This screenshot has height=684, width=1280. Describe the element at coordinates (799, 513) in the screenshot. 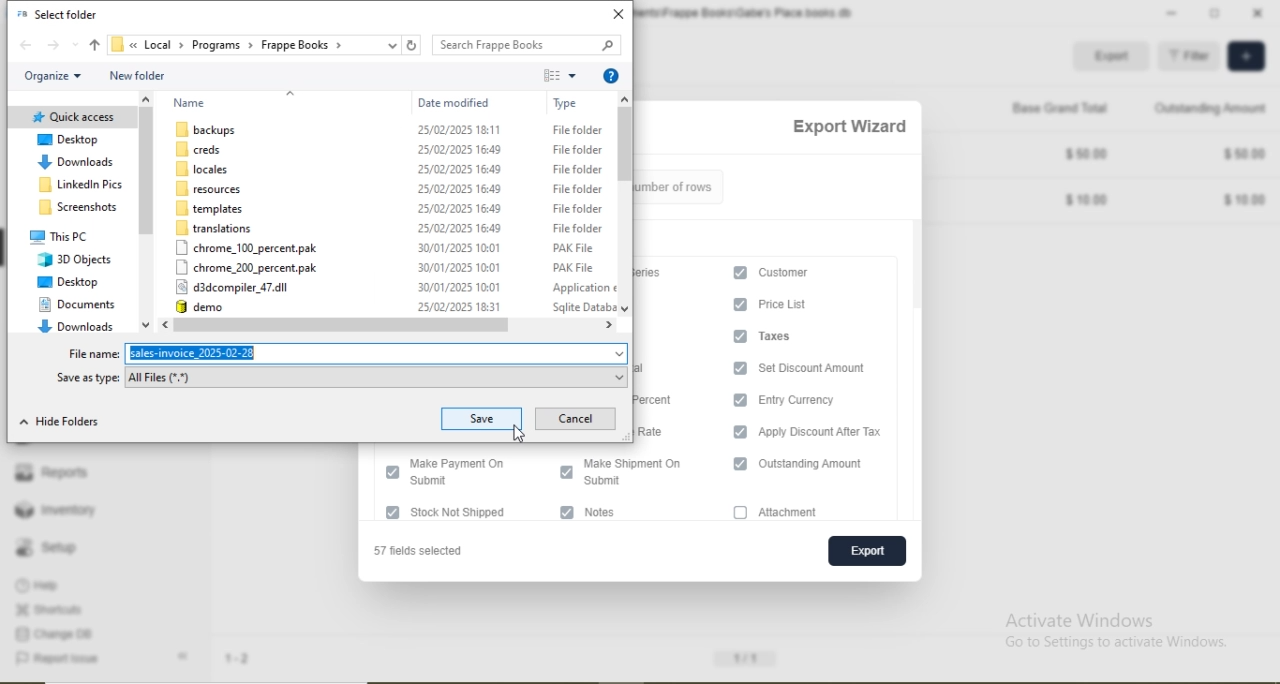

I see `attachment` at that location.